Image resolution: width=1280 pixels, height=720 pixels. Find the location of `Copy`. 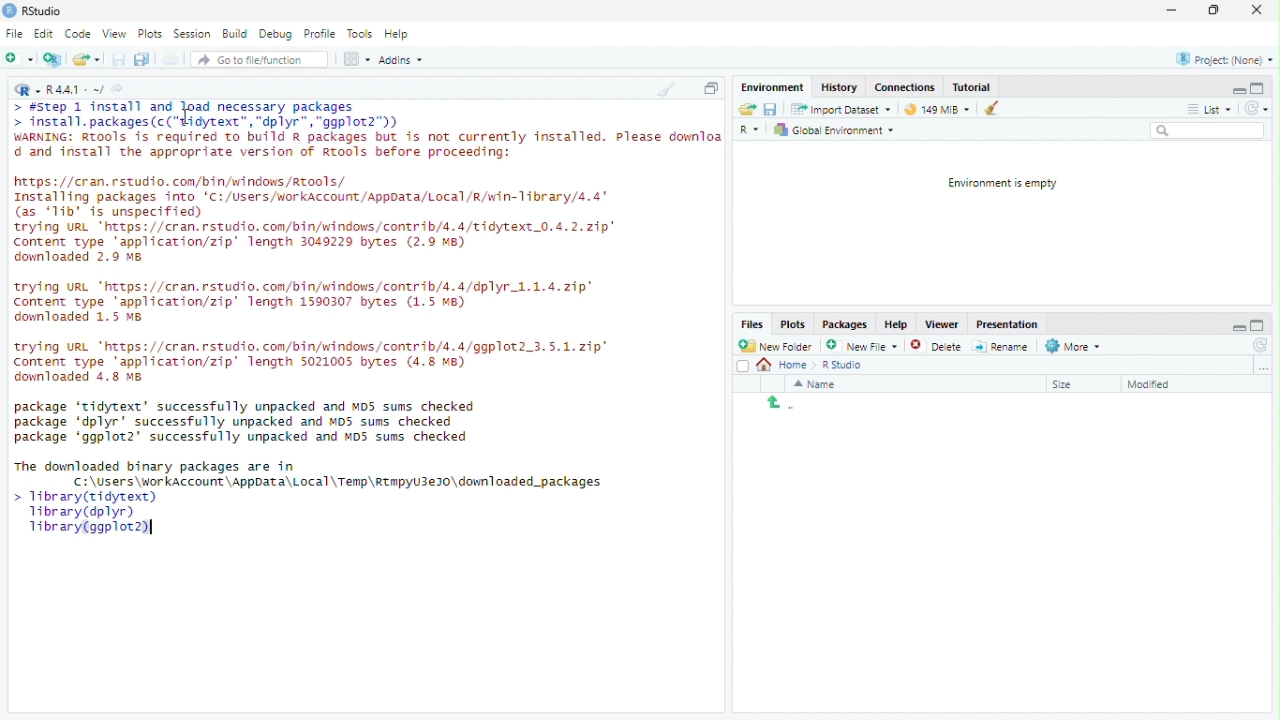

Copy is located at coordinates (711, 87).